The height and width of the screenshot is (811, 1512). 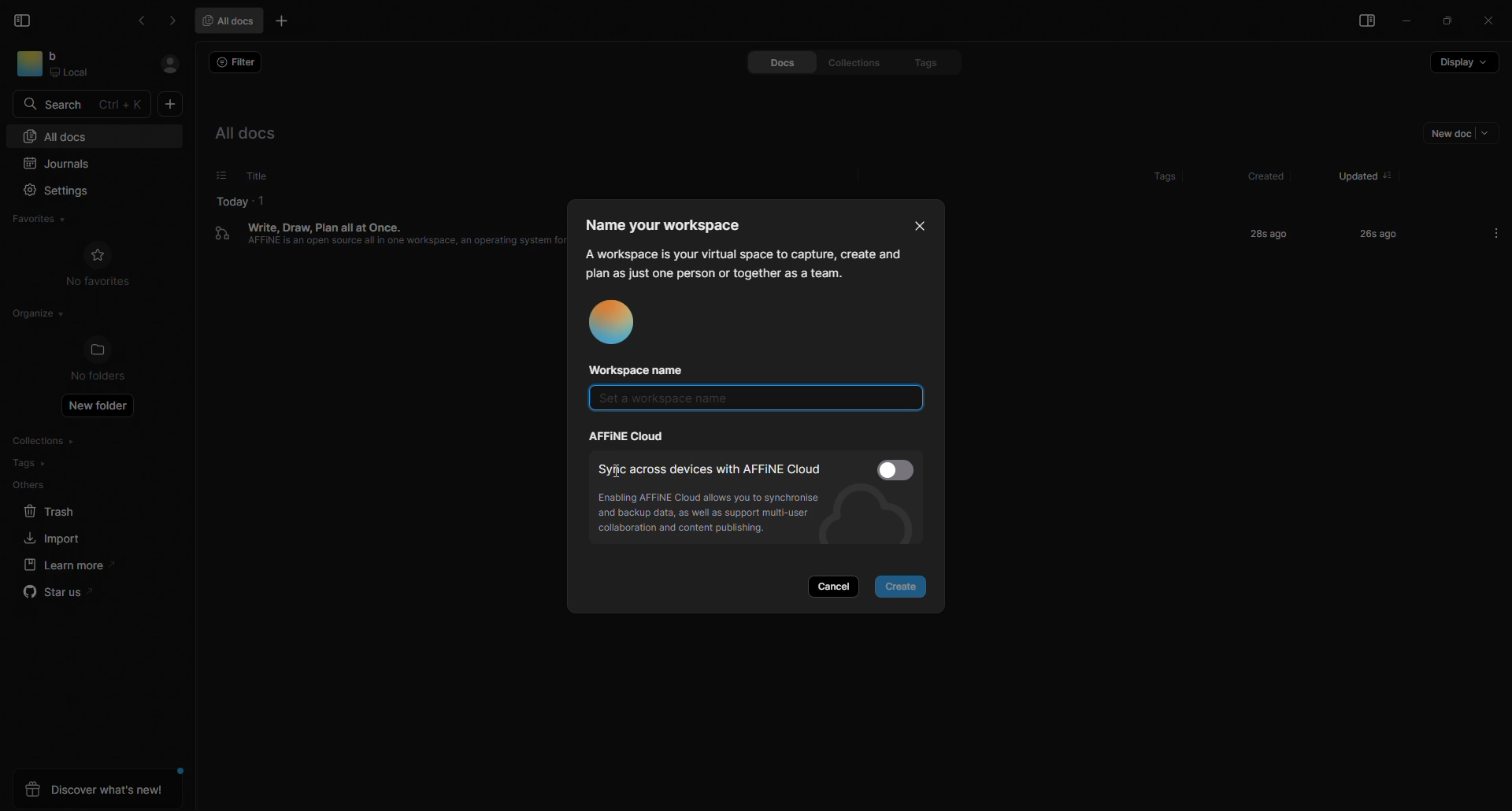 I want to click on Profile, so click(x=169, y=65).